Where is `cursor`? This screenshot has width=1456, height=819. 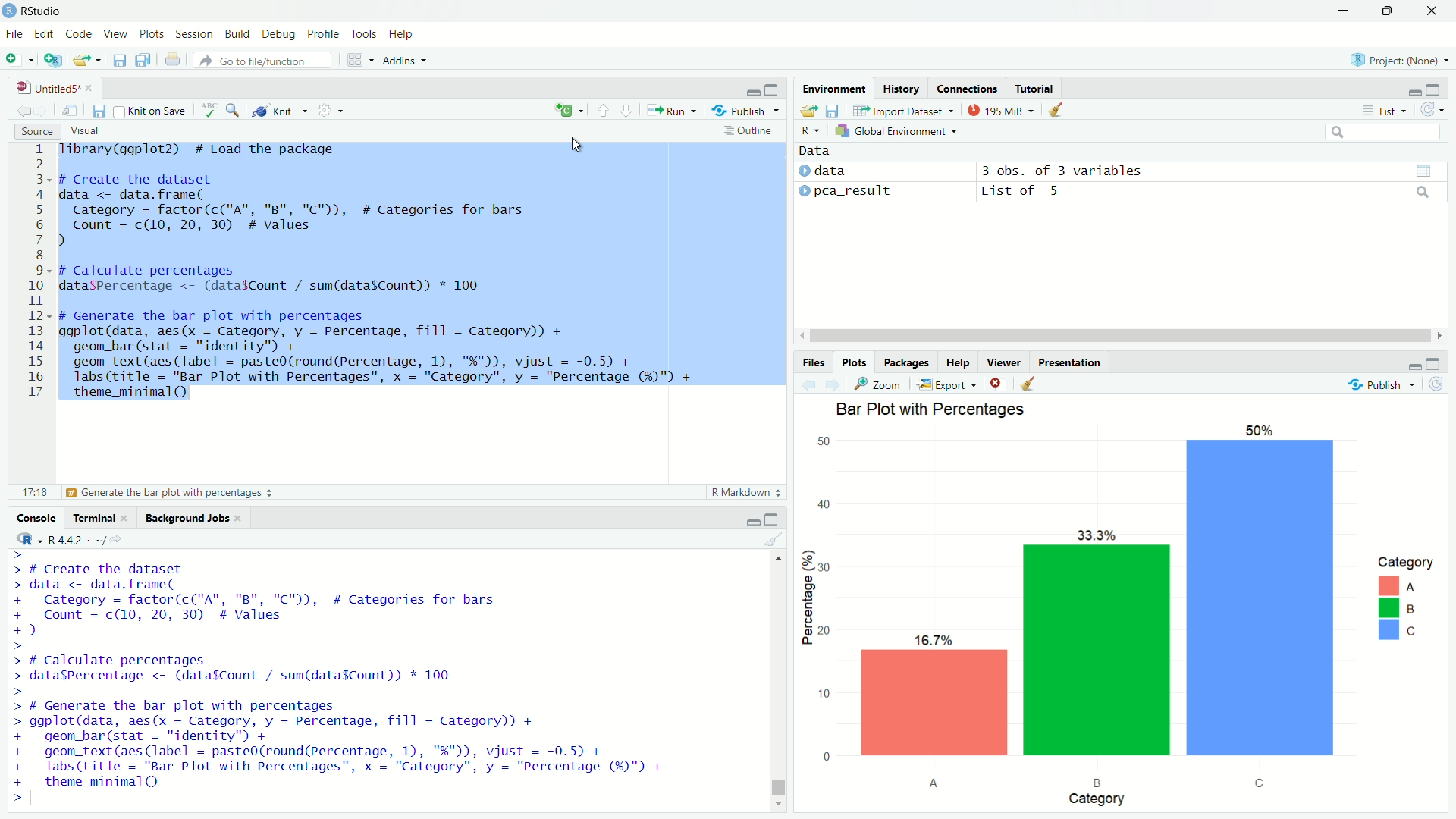 cursor is located at coordinates (578, 145).